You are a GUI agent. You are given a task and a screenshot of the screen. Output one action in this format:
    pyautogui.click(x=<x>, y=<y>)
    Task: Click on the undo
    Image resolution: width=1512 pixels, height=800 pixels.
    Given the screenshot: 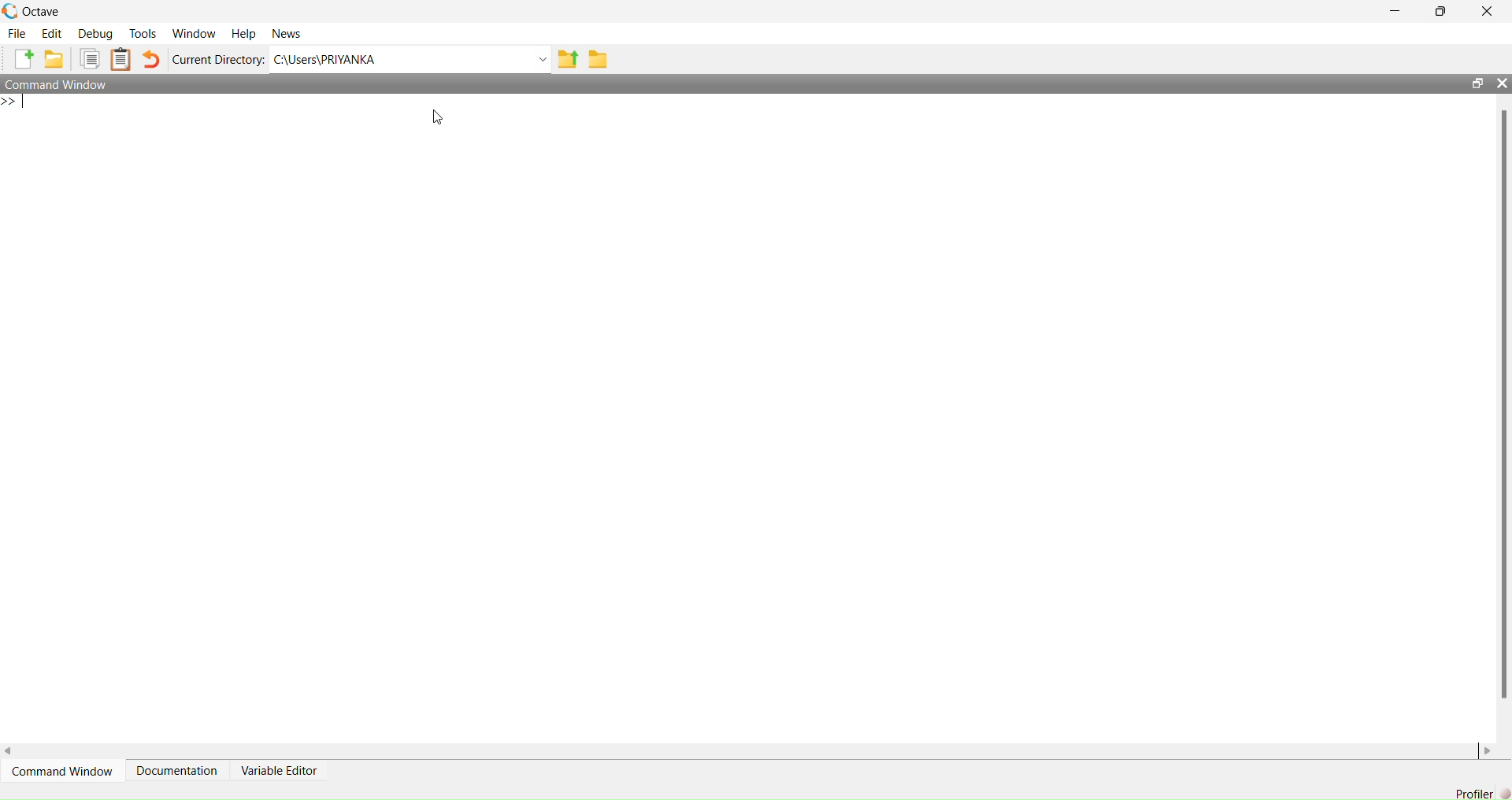 What is the action you would take?
    pyautogui.click(x=150, y=59)
    